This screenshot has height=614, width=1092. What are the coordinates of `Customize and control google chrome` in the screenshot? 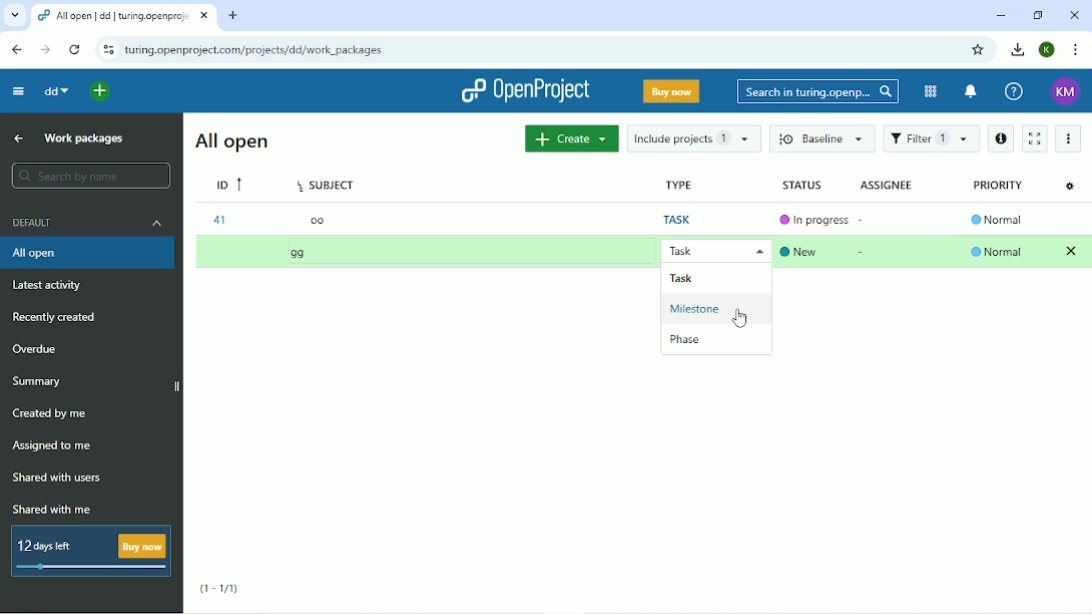 It's located at (1074, 50).